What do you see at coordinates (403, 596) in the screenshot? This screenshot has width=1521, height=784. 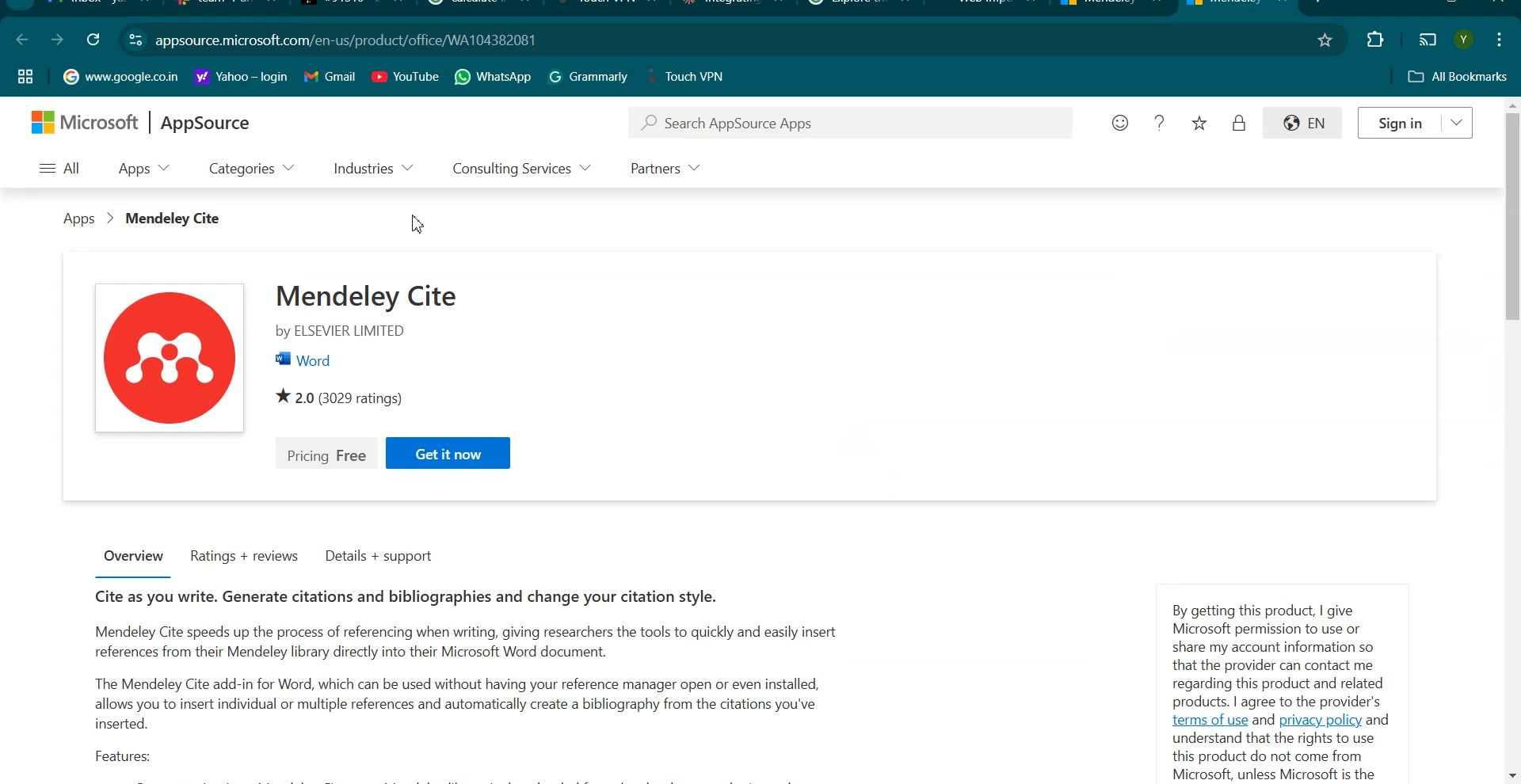 I see `Cite as you write. Generate citations and bibliographies and change your citation style.` at bounding box center [403, 596].